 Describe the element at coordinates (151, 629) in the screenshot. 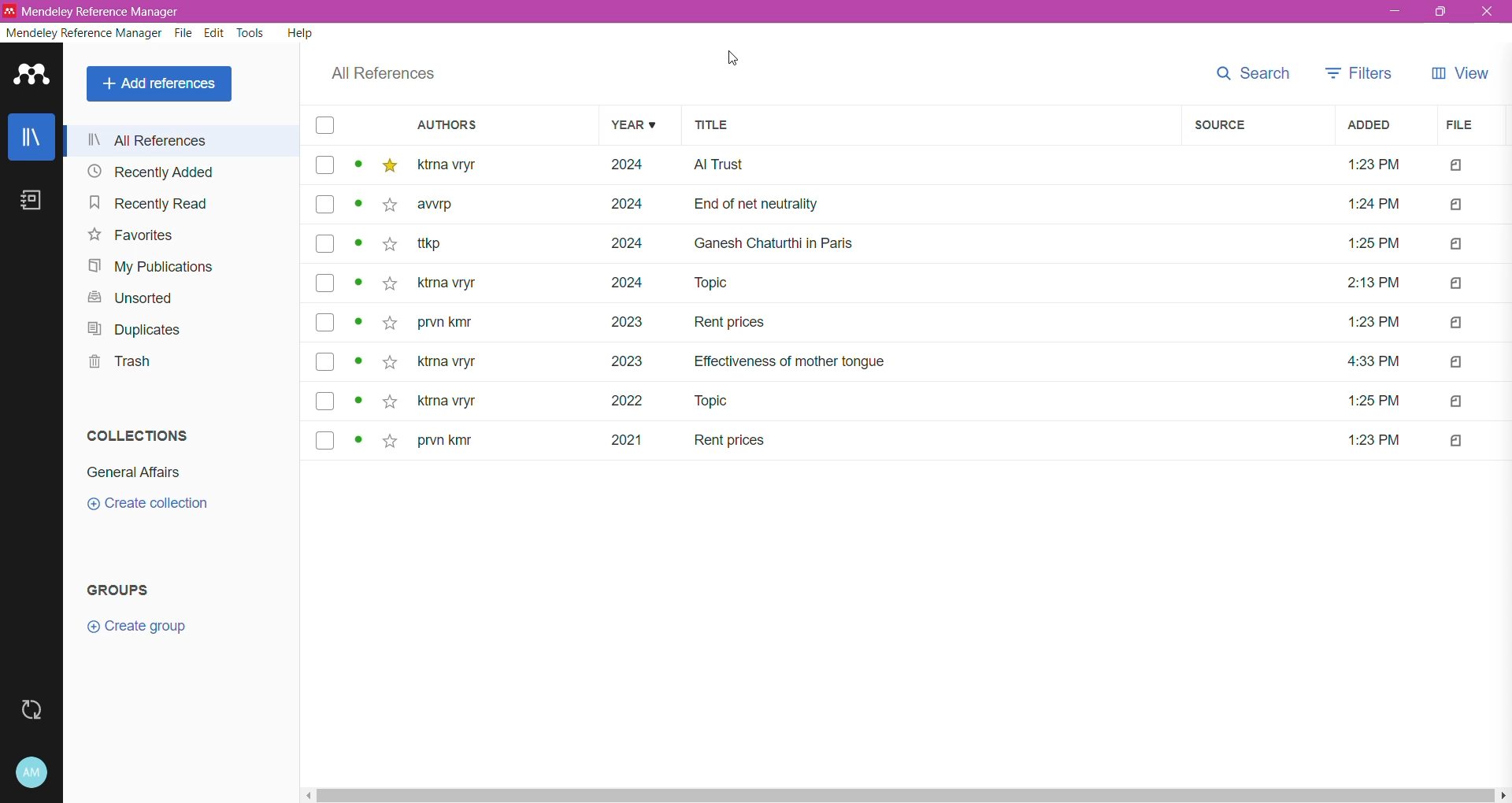

I see `Create Group` at that location.